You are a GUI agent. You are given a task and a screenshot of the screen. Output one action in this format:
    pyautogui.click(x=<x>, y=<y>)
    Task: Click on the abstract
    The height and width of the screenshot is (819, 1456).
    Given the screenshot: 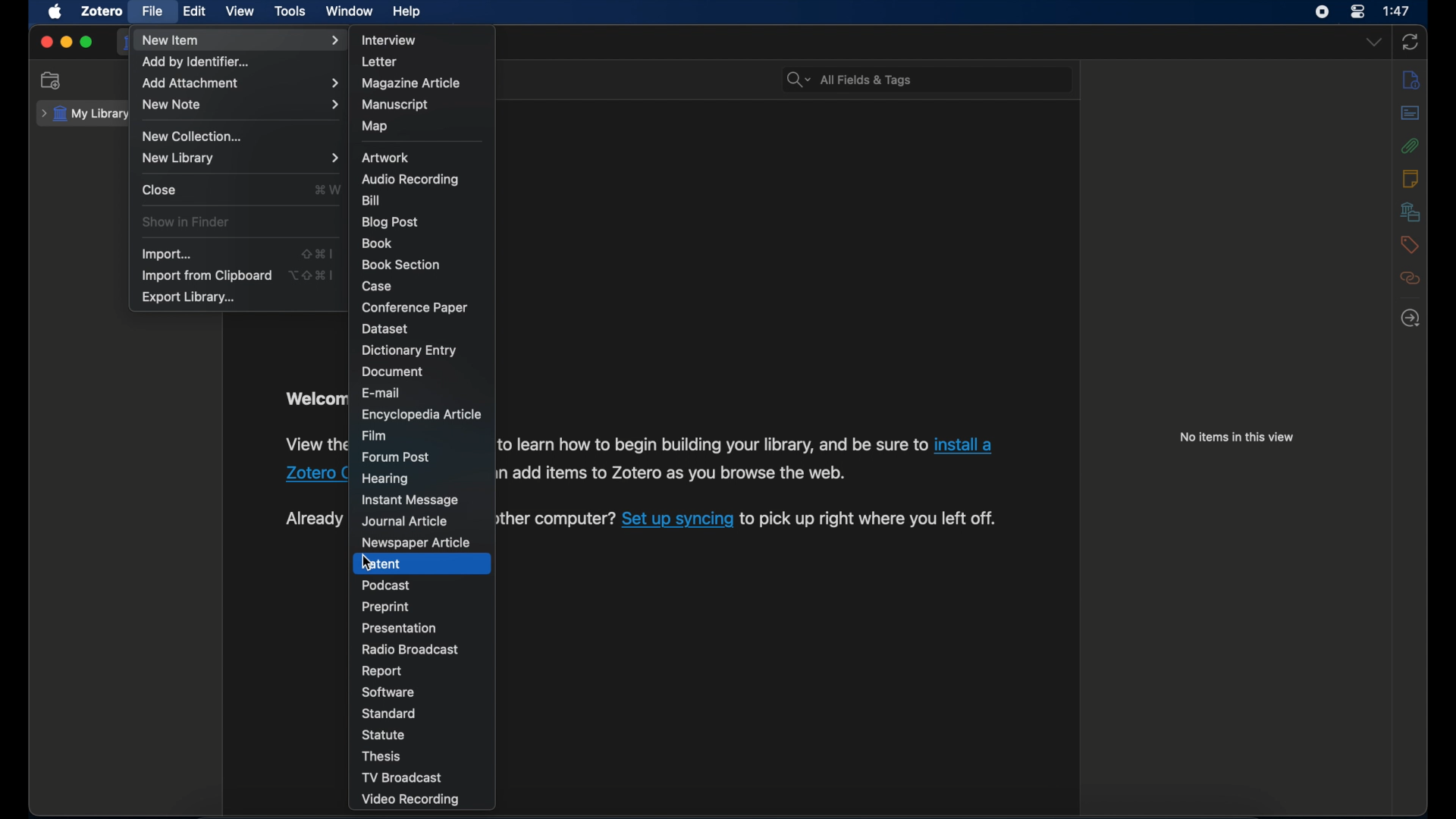 What is the action you would take?
    pyautogui.click(x=1411, y=114)
    